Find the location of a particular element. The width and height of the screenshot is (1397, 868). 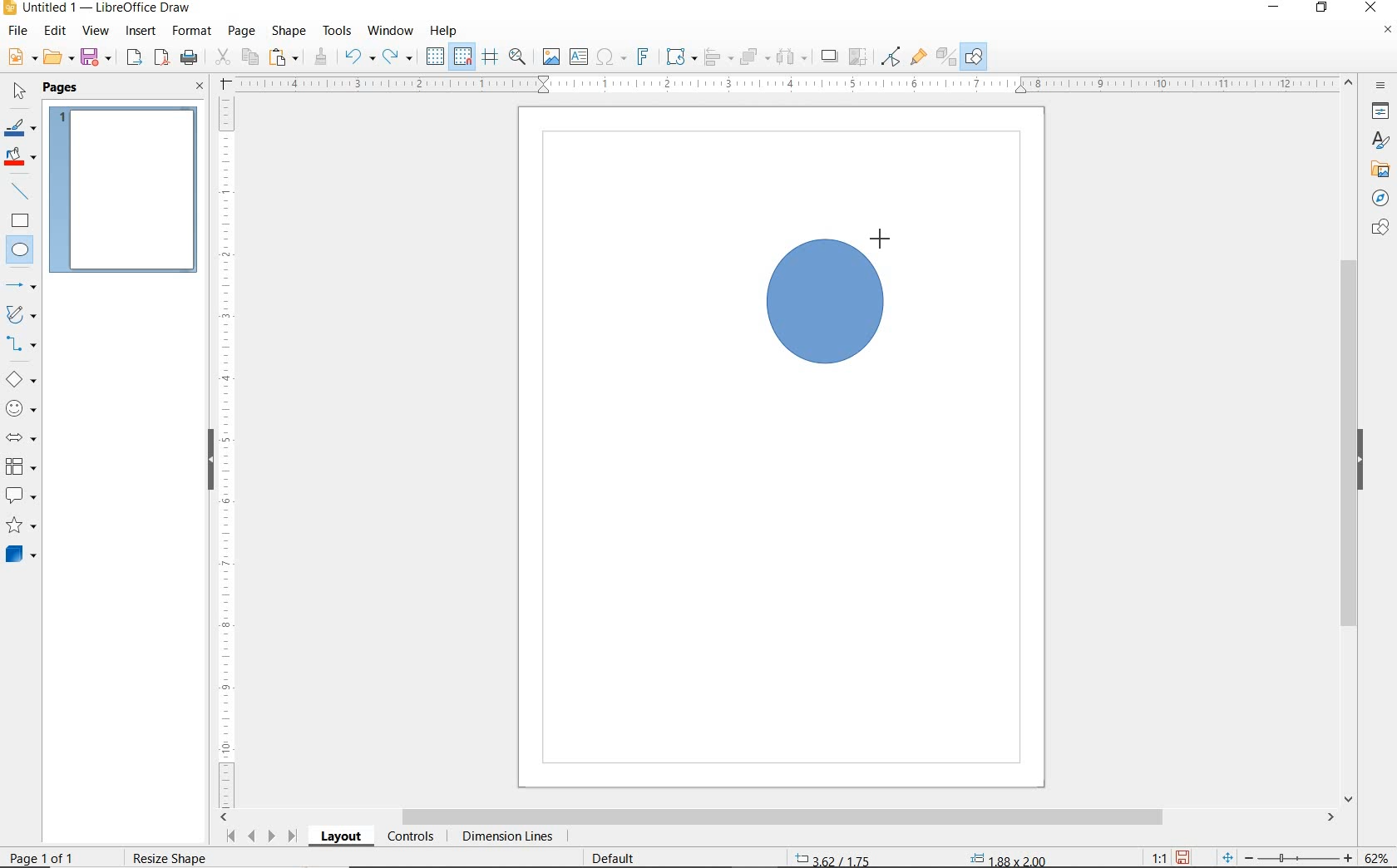

INSERT LINE is located at coordinates (22, 191).